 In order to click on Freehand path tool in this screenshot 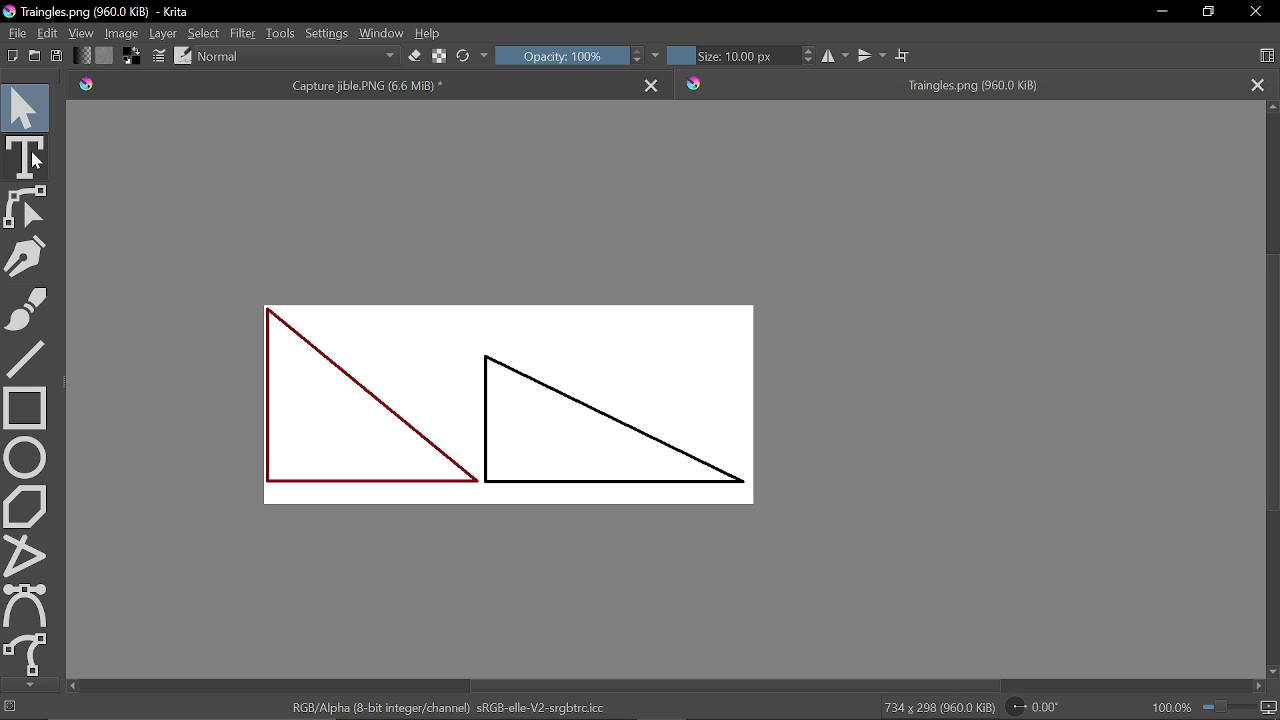, I will do `click(27, 655)`.